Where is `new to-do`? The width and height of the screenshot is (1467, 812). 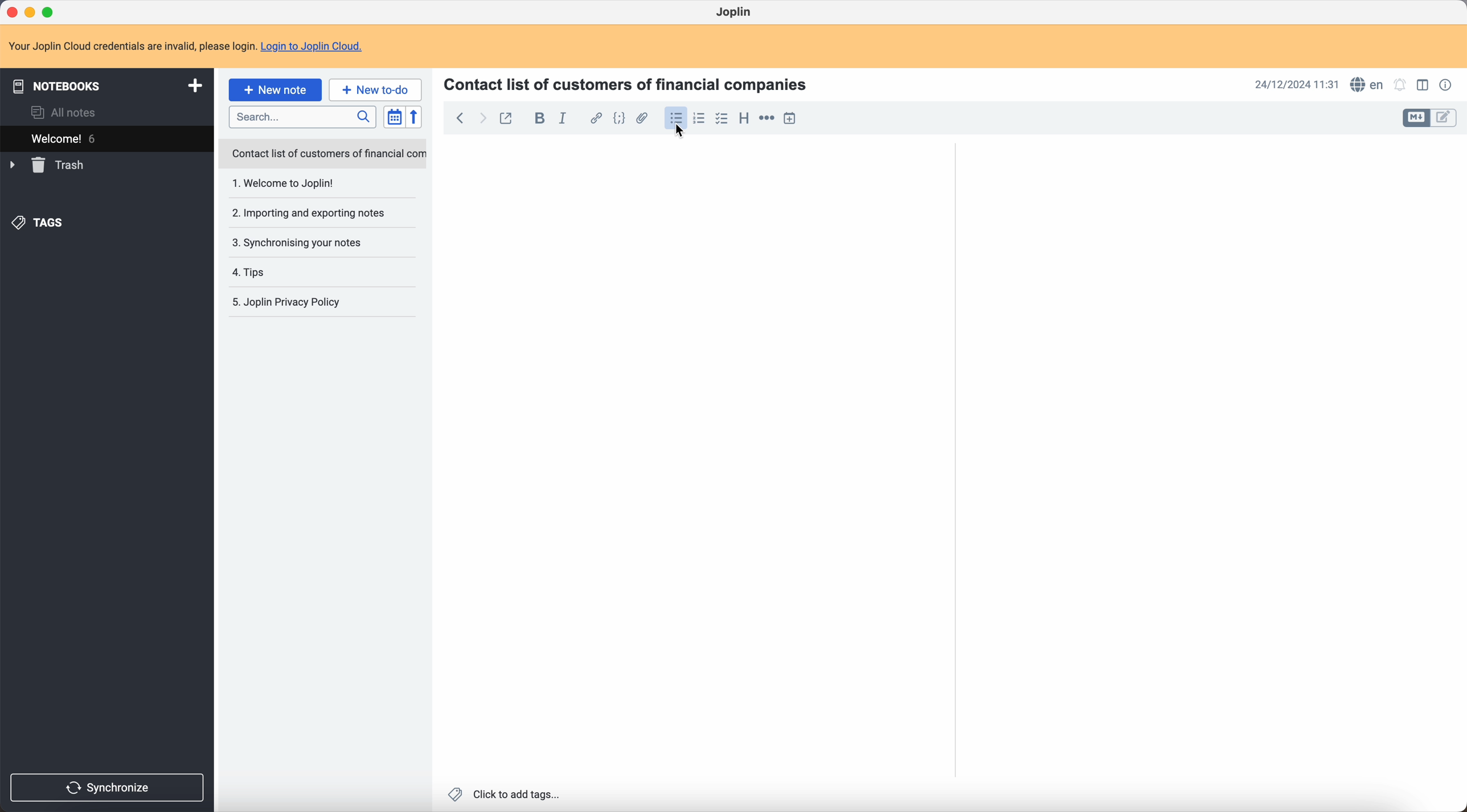 new to-do is located at coordinates (375, 89).